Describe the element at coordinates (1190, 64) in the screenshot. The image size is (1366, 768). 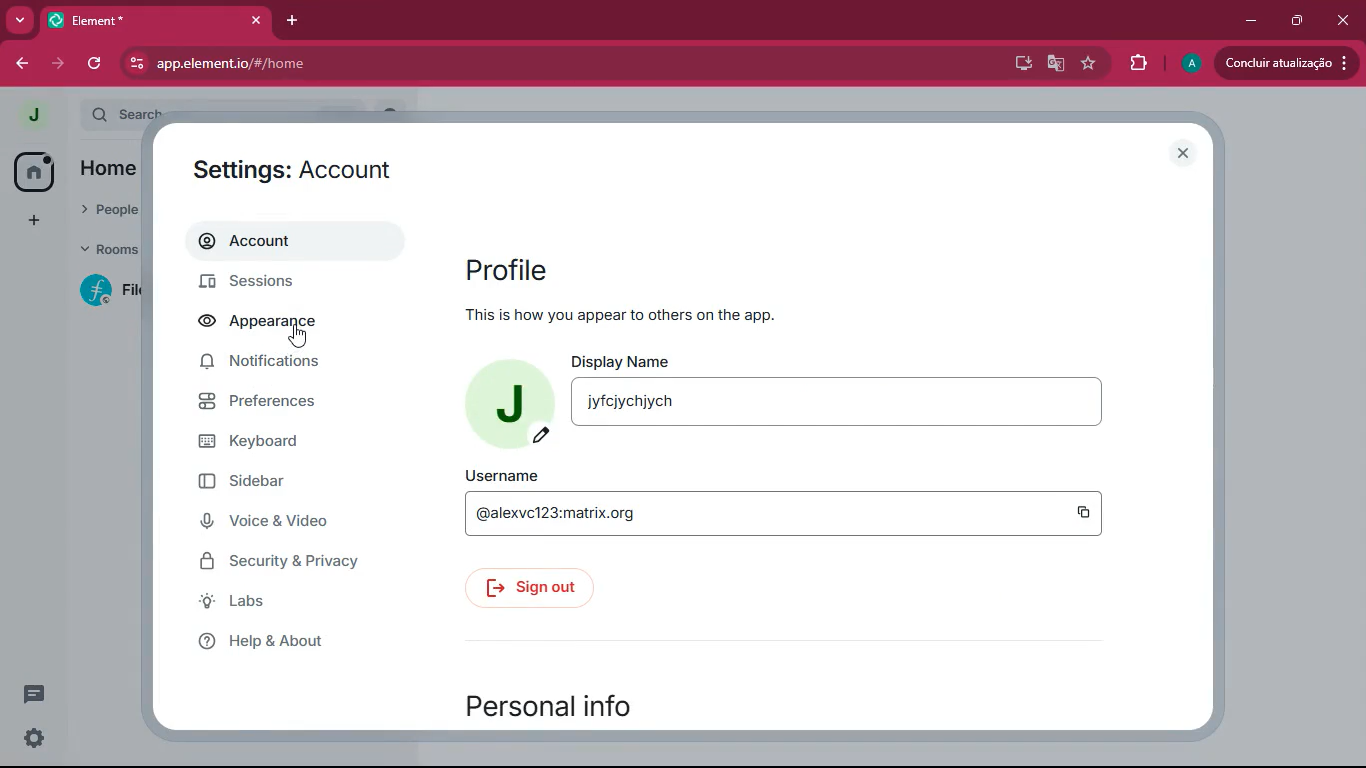
I see `profile` at that location.